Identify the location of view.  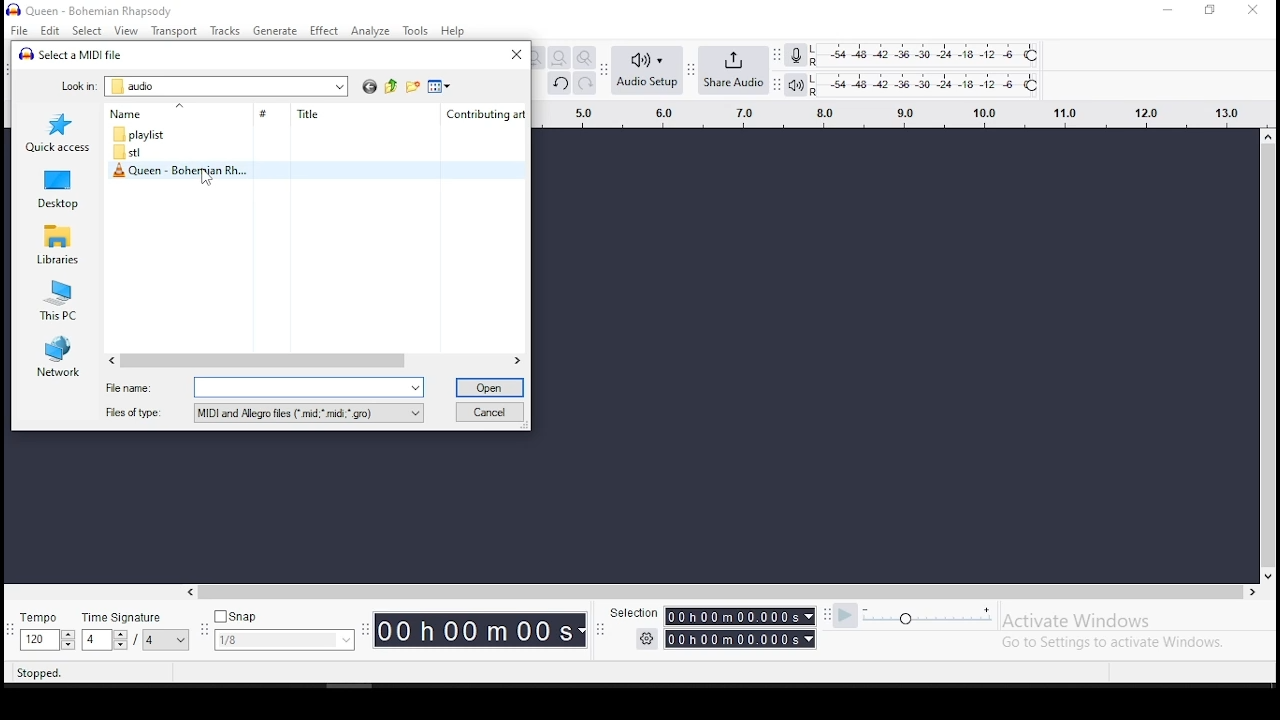
(438, 85).